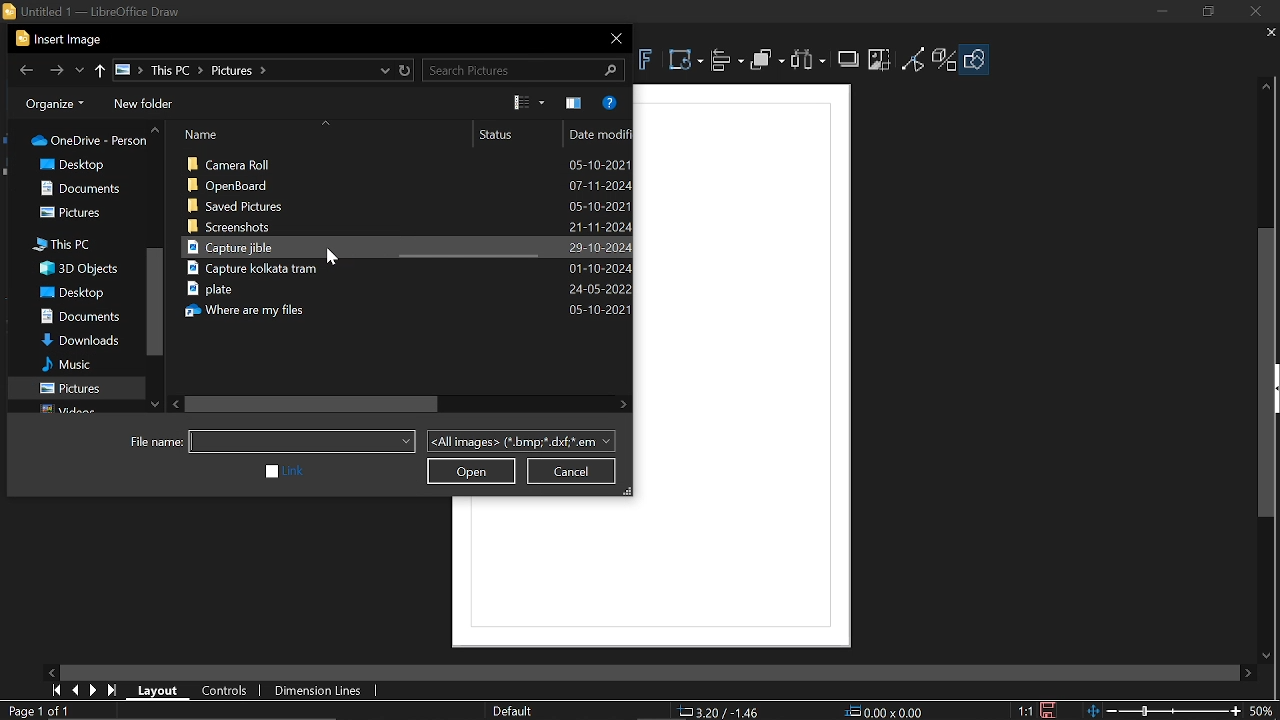 The width and height of the screenshot is (1280, 720). I want to click on cursor, so click(334, 257).